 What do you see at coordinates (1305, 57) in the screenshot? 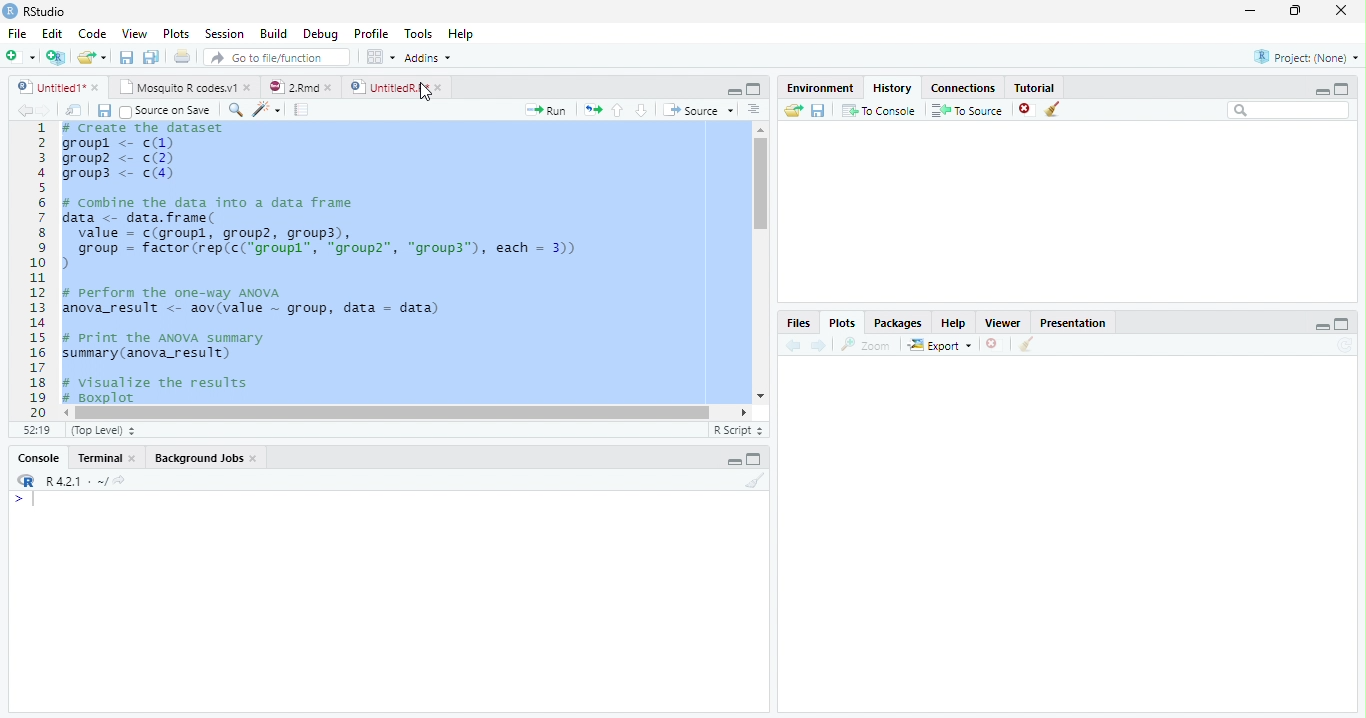
I see `Project (None)` at bounding box center [1305, 57].